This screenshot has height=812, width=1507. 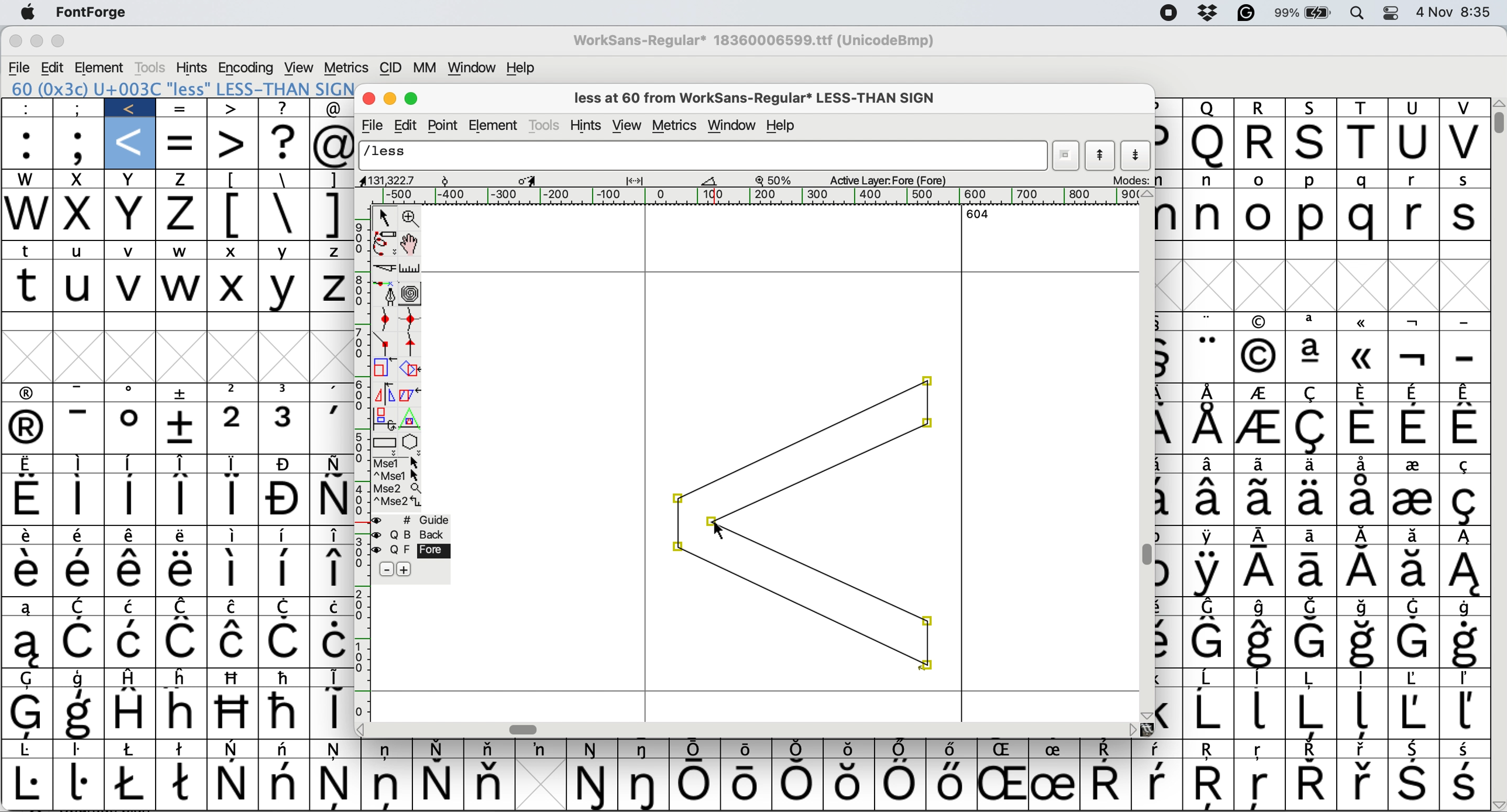 What do you see at coordinates (1413, 607) in the screenshot?
I see `Symbol` at bounding box center [1413, 607].